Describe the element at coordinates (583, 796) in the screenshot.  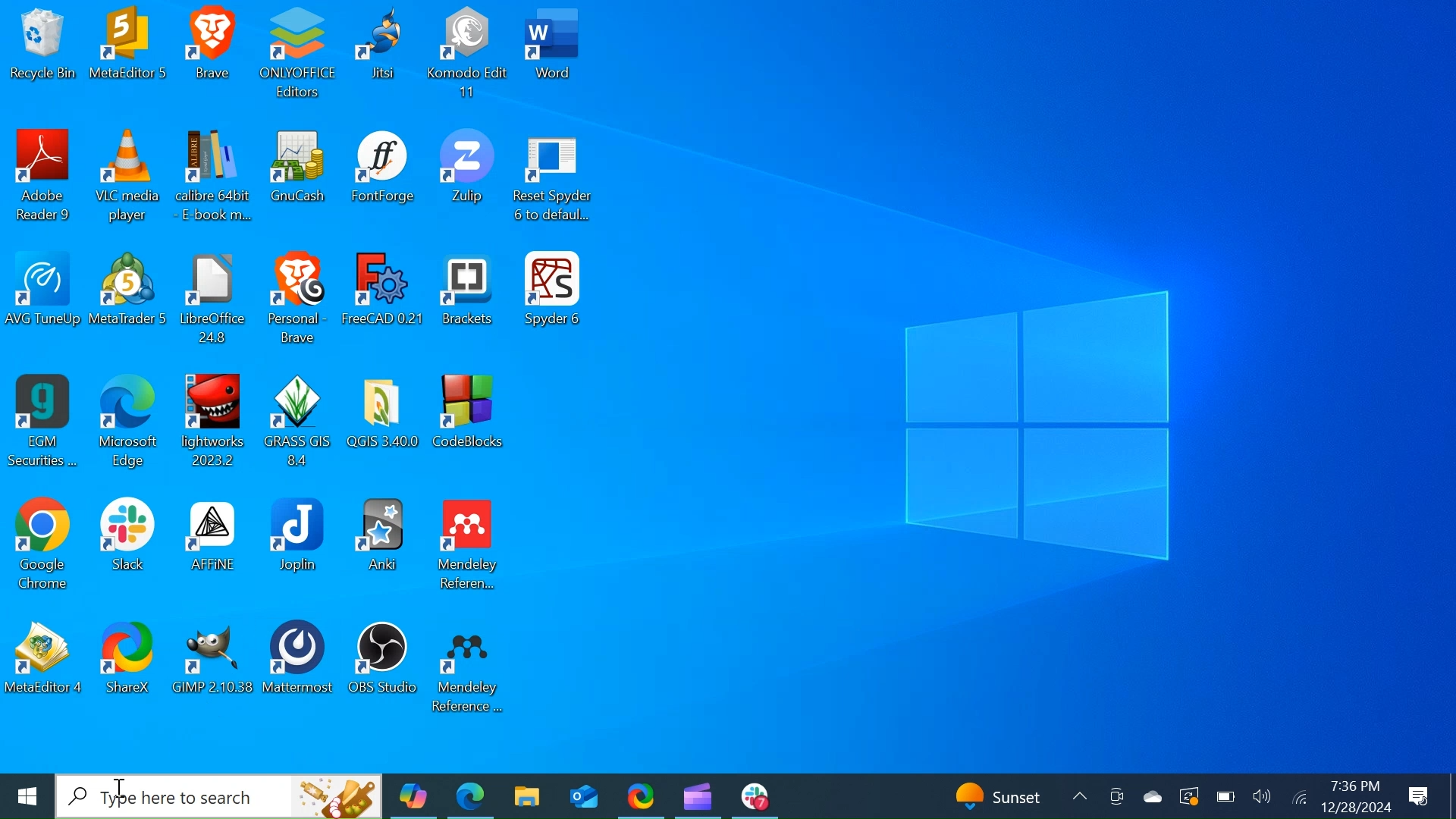
I see `Outlook` at that location.